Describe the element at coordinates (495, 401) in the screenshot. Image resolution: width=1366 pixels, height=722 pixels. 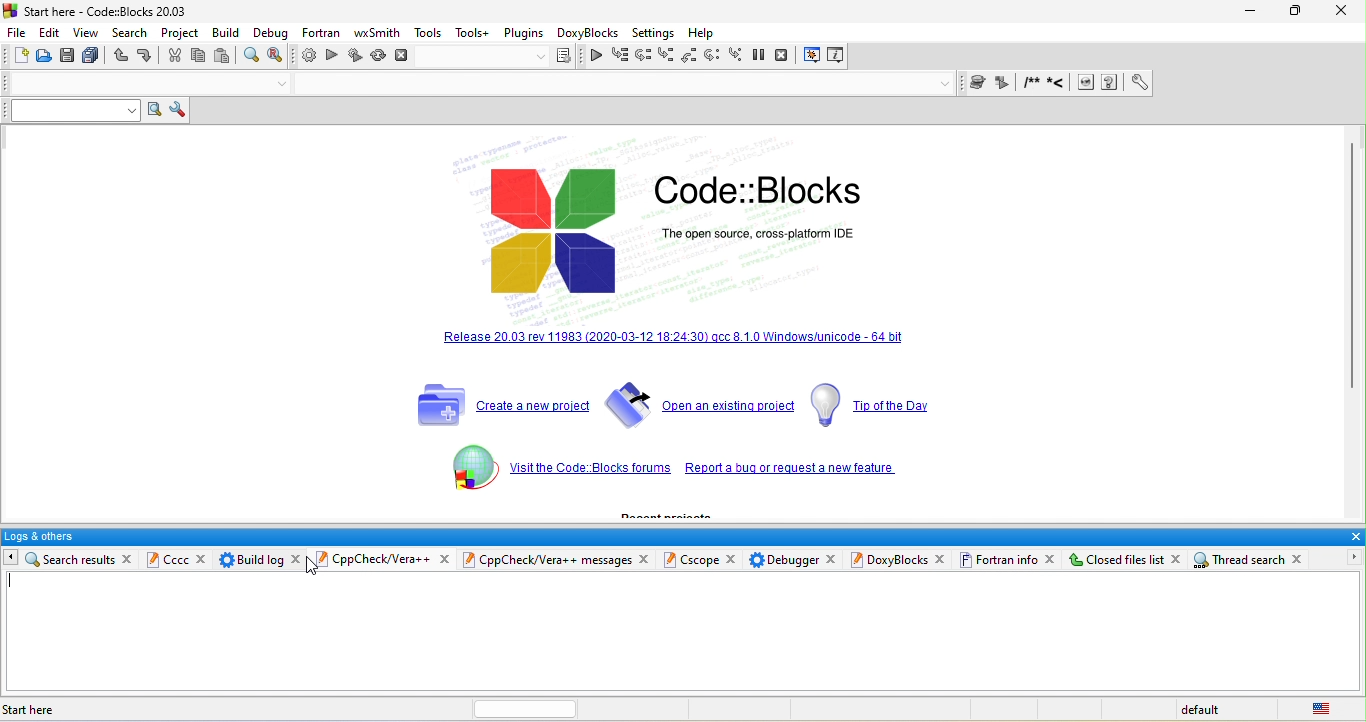
I see `create a new window` at that location.